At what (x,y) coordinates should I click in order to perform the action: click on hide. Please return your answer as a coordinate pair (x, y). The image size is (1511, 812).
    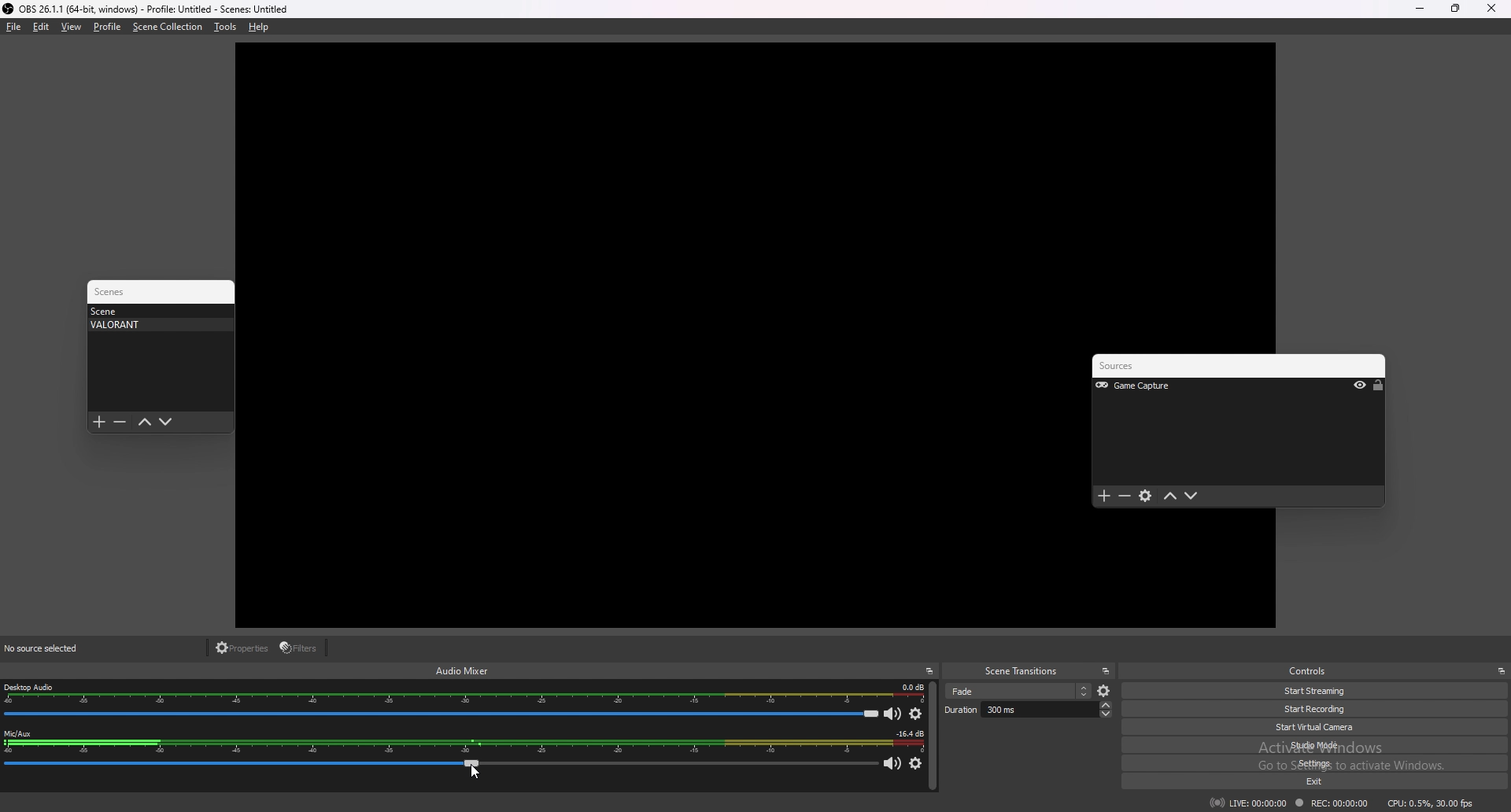
    Looking at the image, I should click on (1360, 386).